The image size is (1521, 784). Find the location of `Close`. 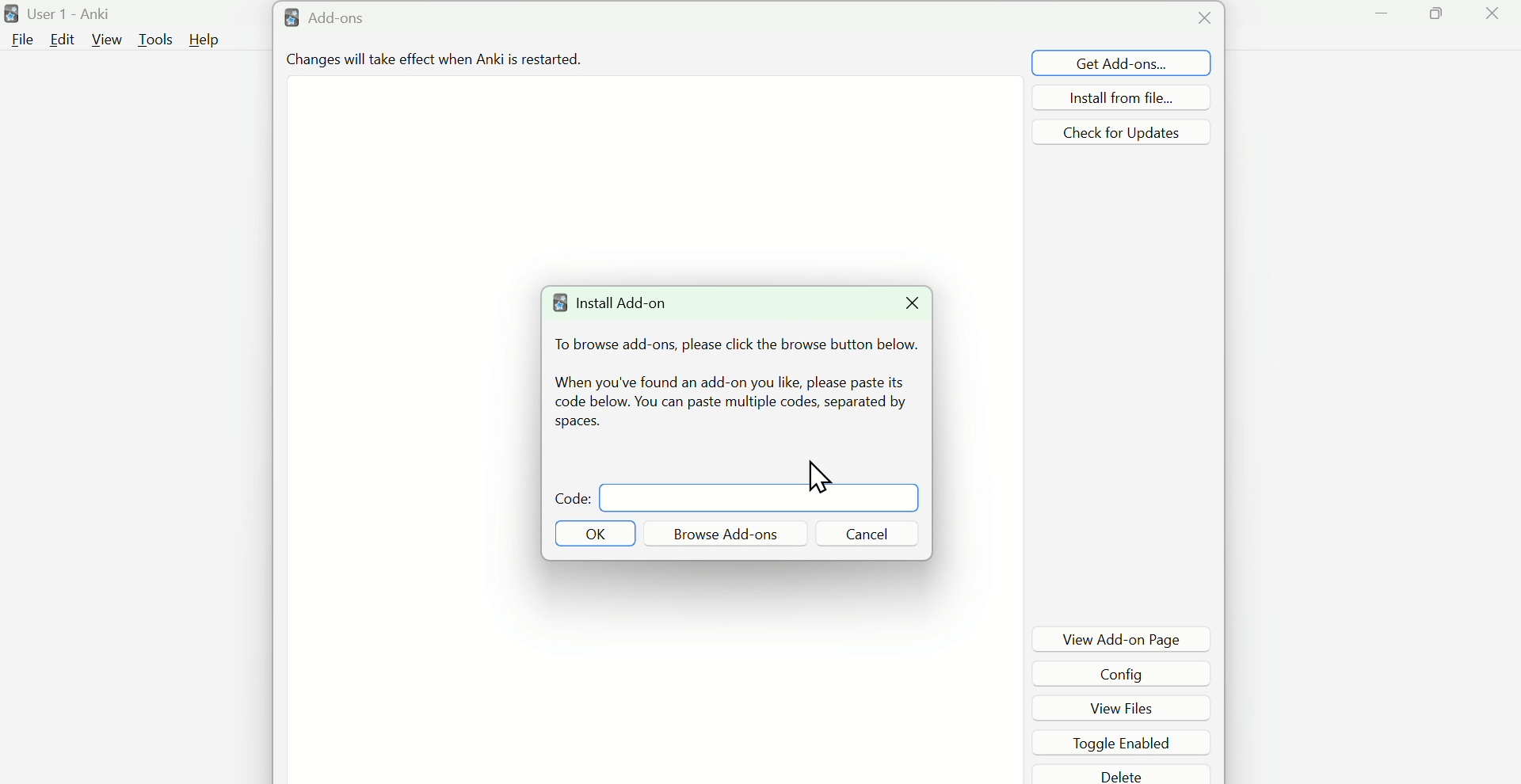

Close is located at coordinates (1492, 17).